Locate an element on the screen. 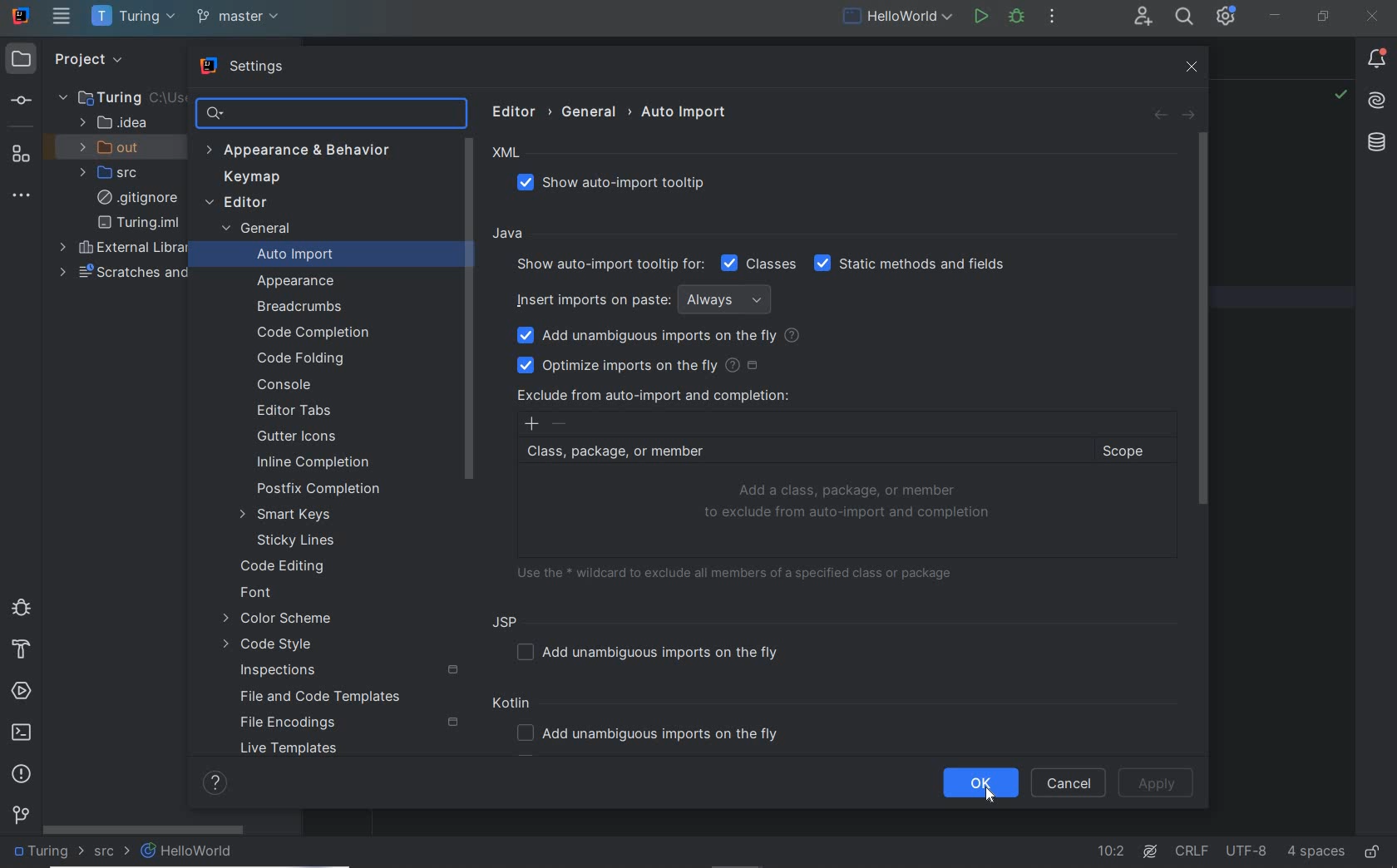  SRC is located at coordinates (112, 852).